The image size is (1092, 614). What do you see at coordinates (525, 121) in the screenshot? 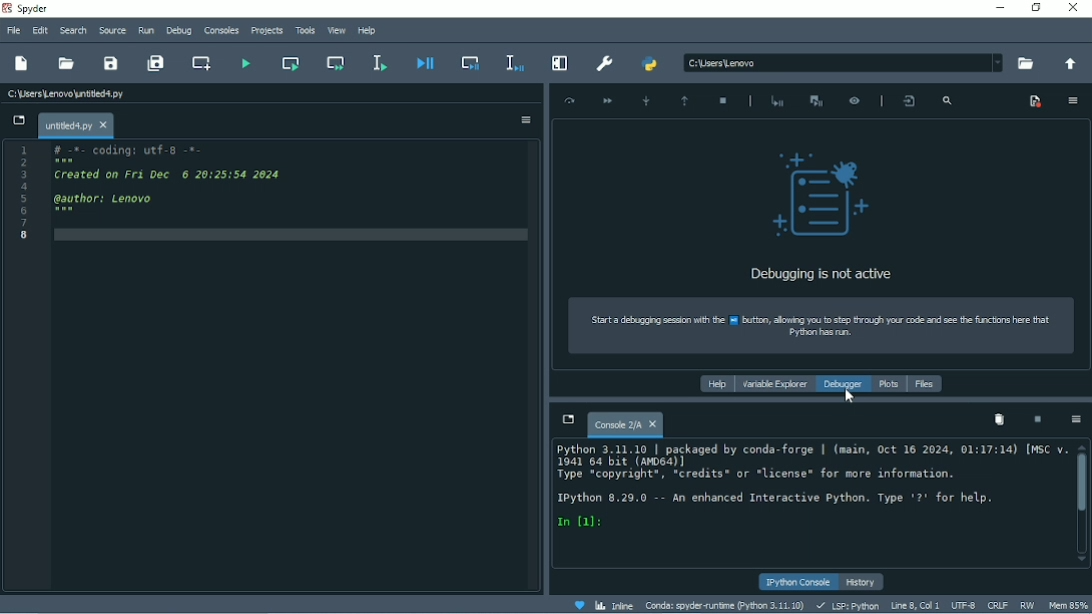
I see `Options` at bounding box center [525, 121].